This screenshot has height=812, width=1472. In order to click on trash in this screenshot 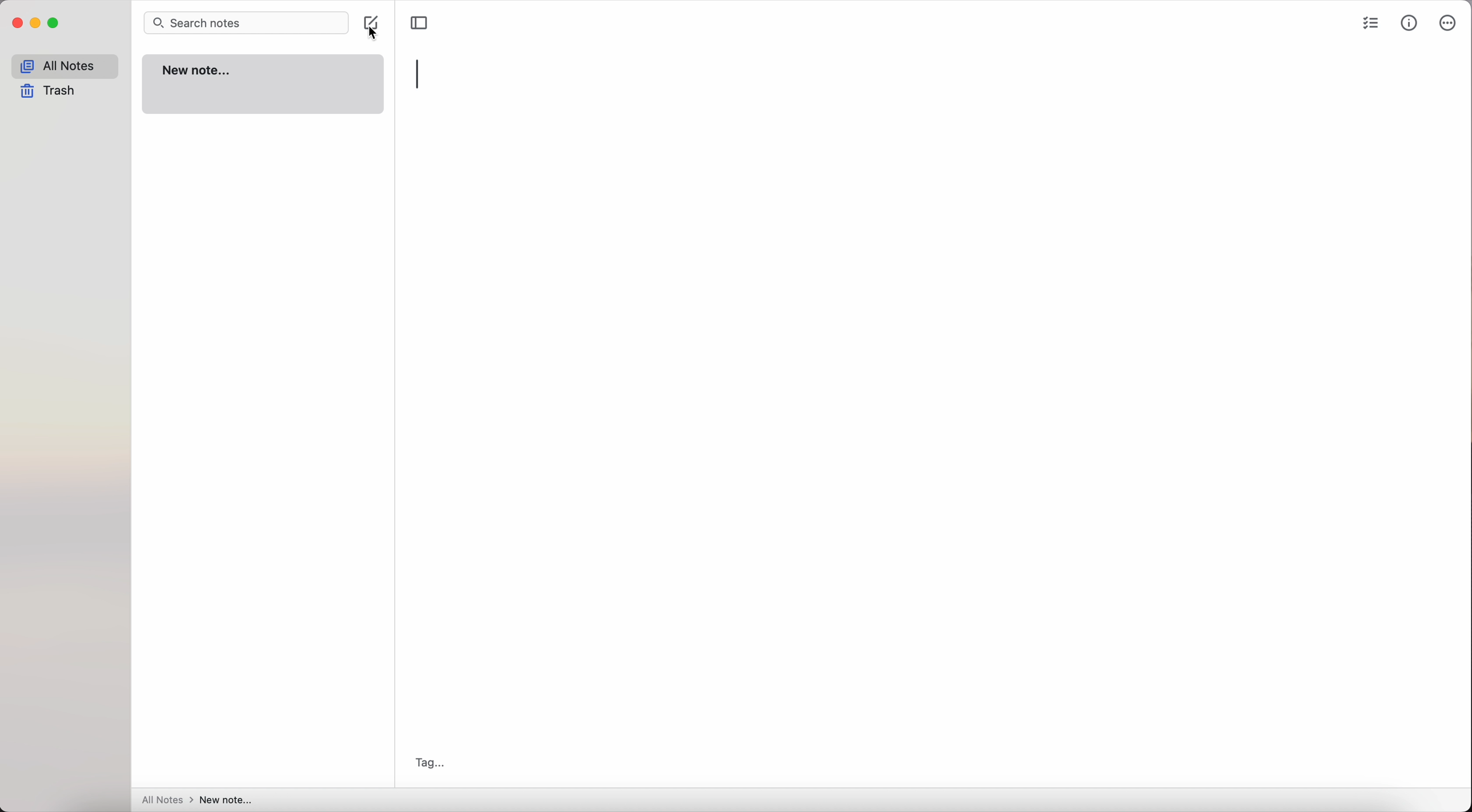, I will do `click(51, 93)`.